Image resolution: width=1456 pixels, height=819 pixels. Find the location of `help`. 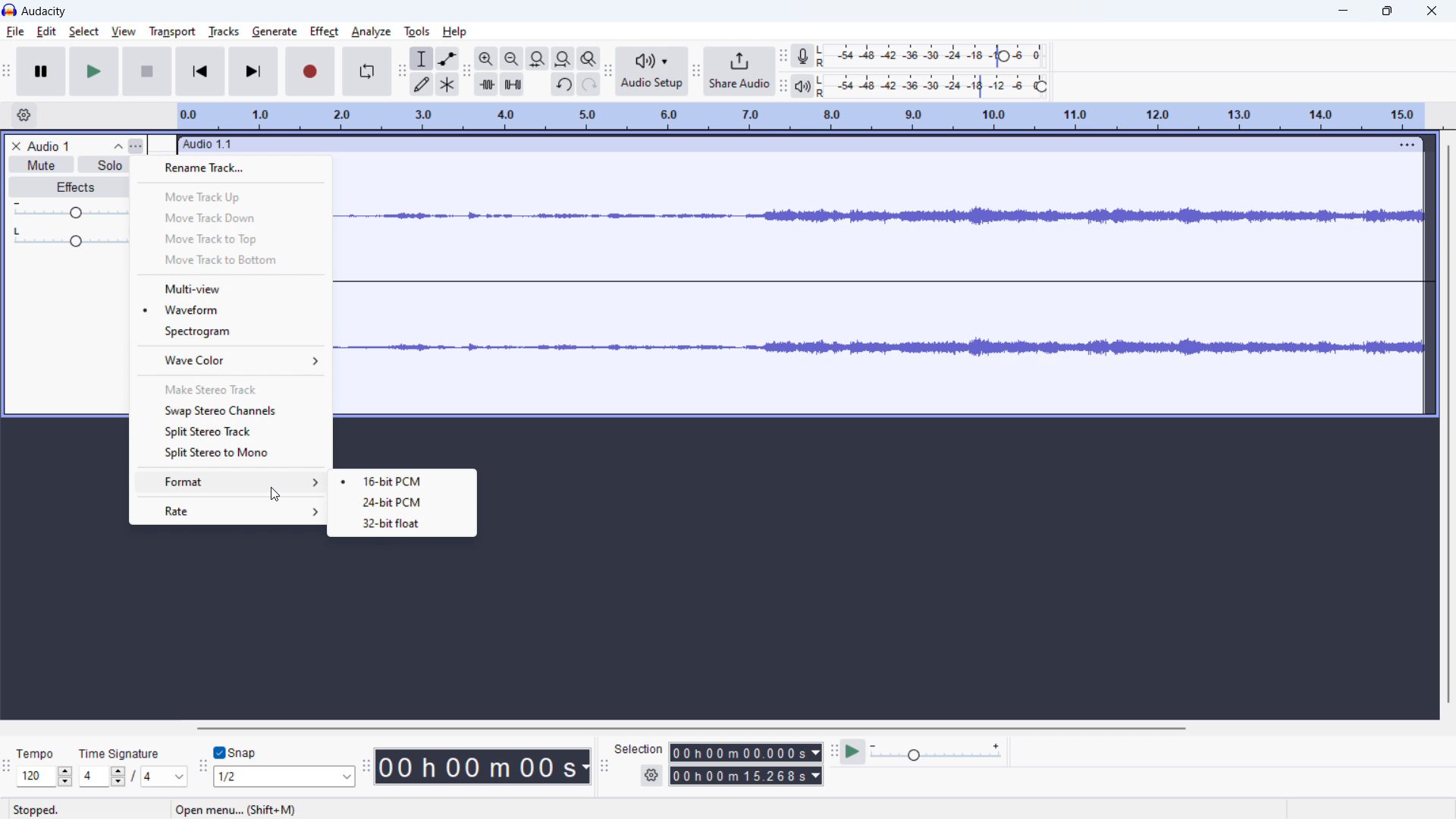

help is located at coordinates (455, 31).